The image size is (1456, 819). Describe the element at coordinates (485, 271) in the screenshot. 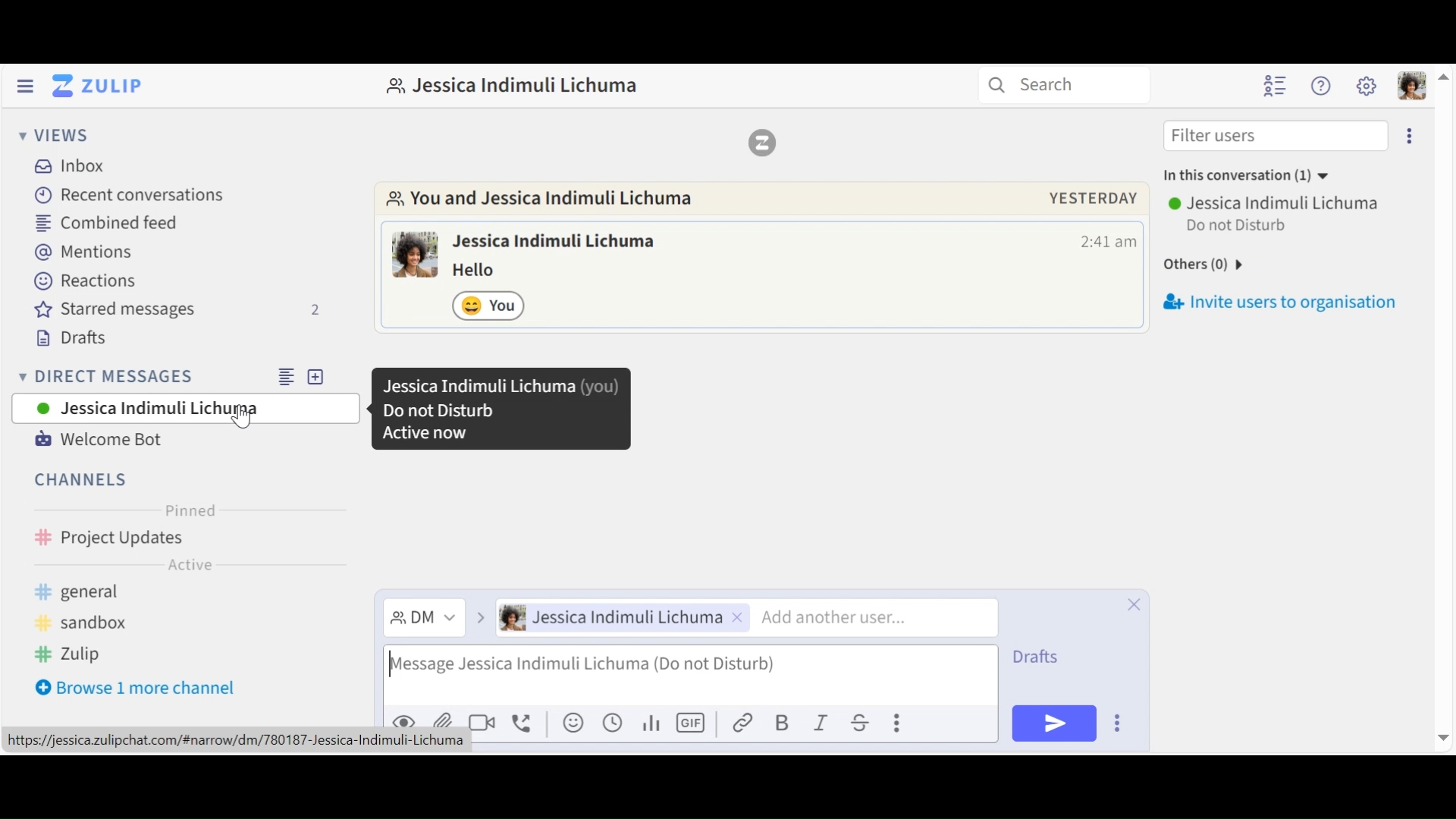

I see `Messages` at that location.